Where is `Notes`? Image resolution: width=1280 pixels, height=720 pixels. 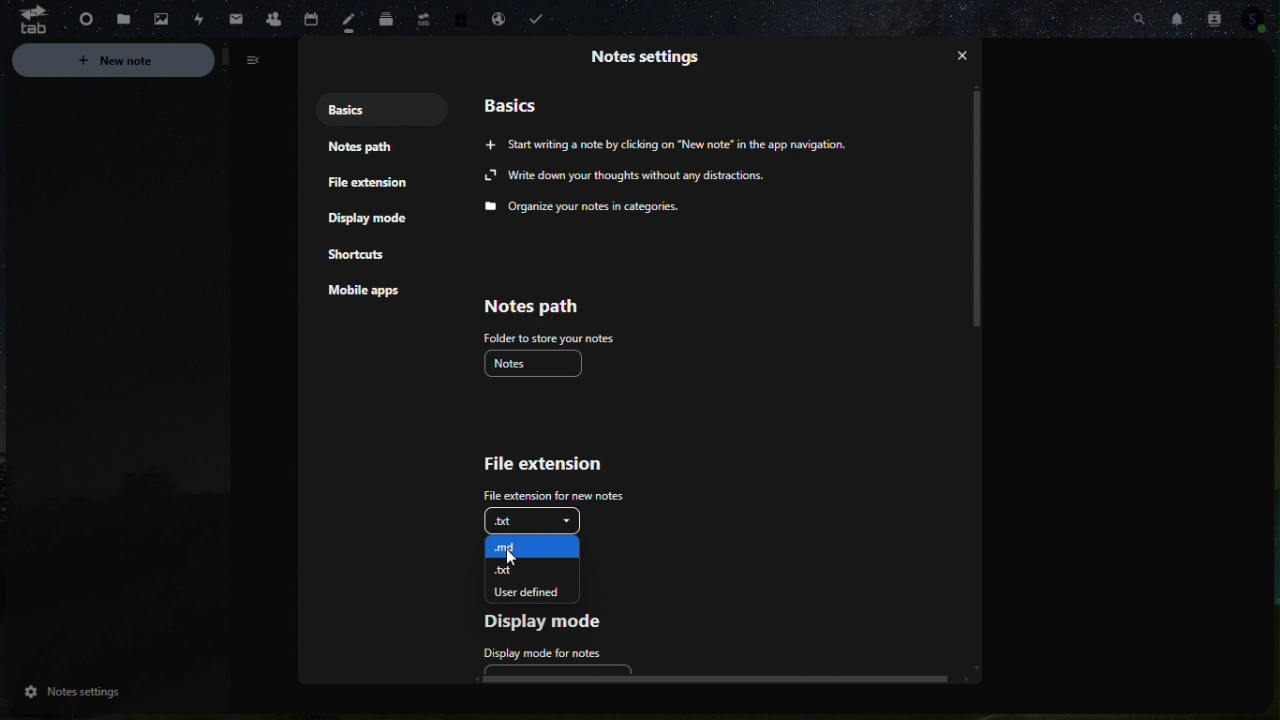 Notes is located at coordinates (355, 22).